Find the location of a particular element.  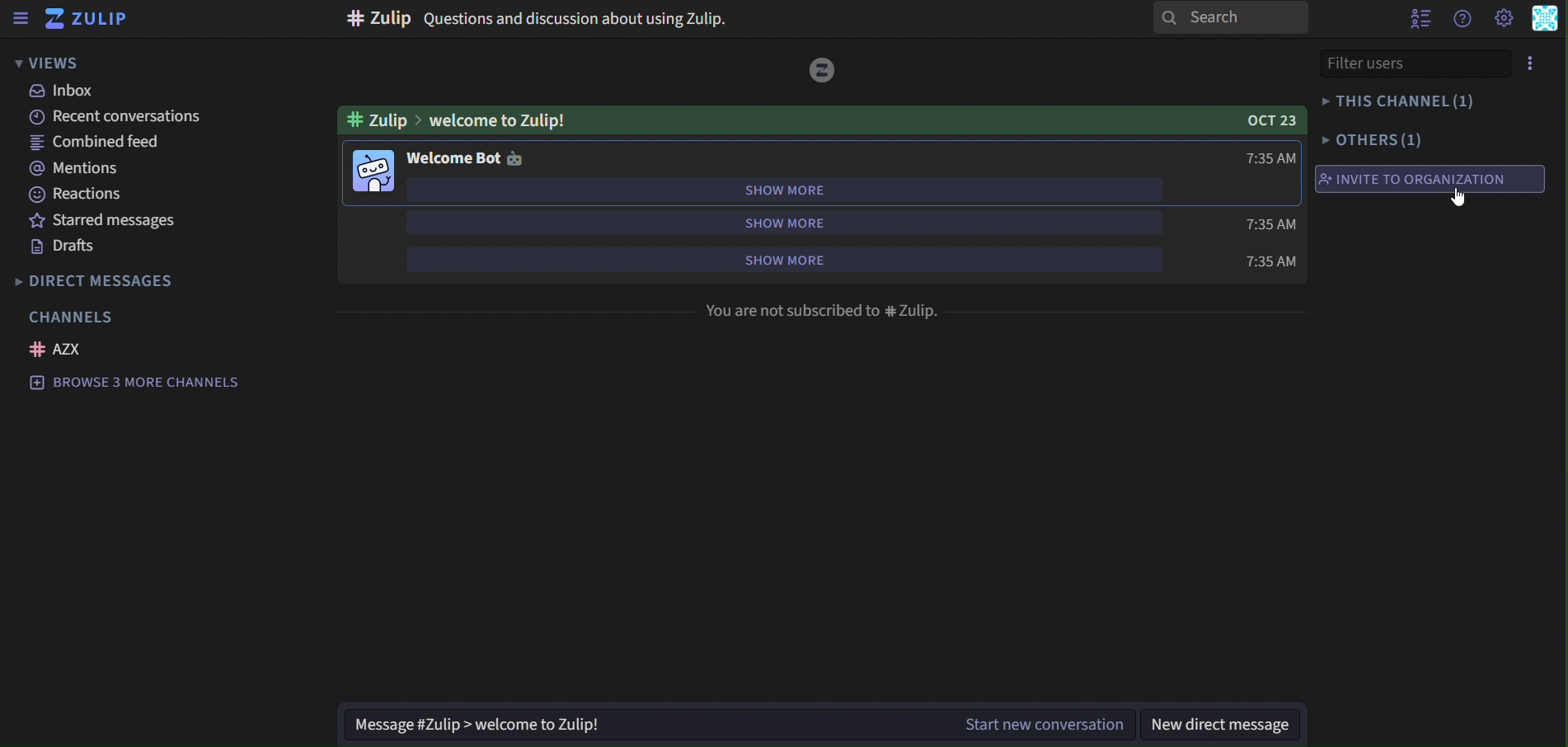

cursor is located at coordinates (1458, 196).